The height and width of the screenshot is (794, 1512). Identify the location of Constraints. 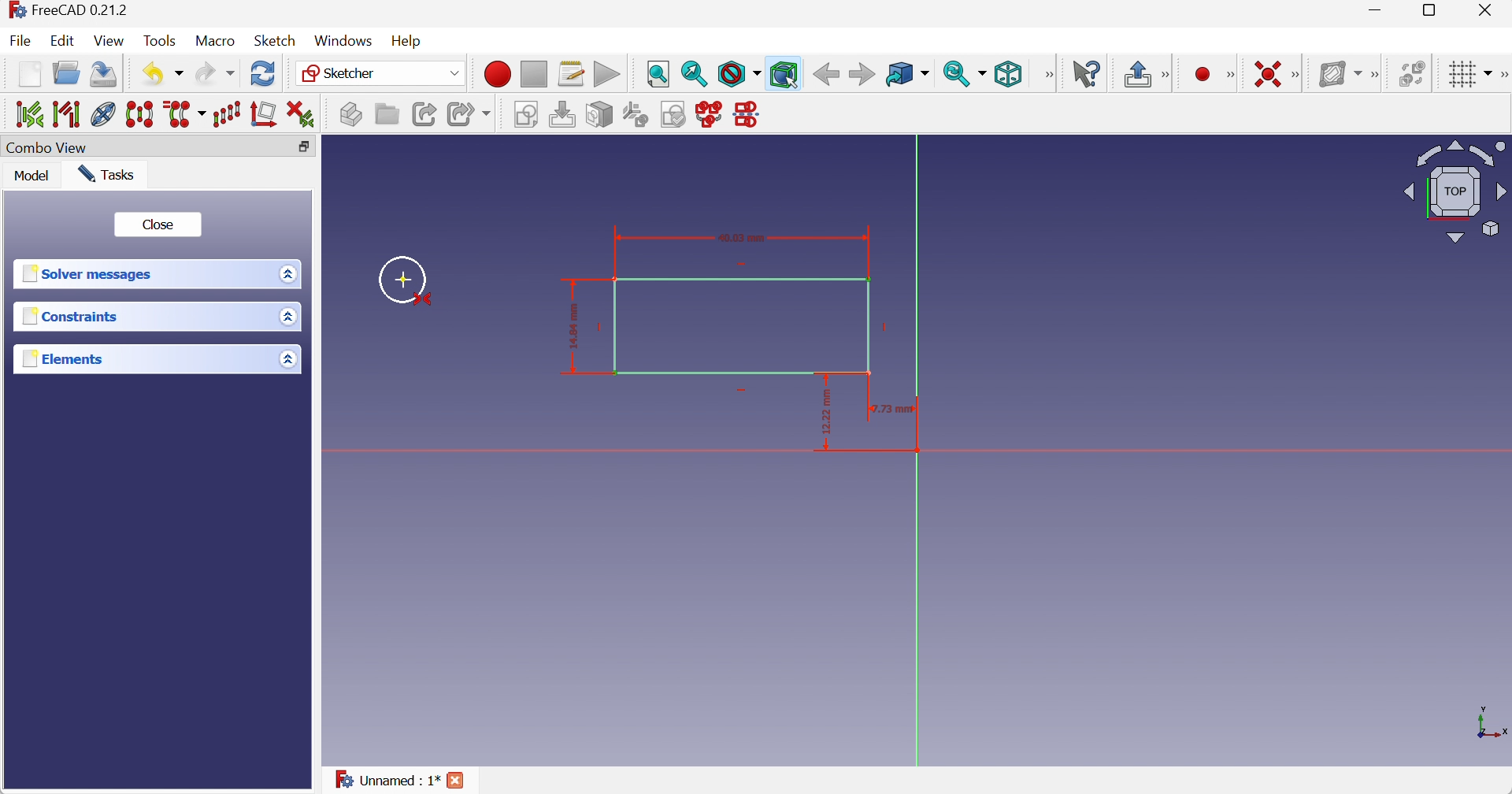
(73, 315).